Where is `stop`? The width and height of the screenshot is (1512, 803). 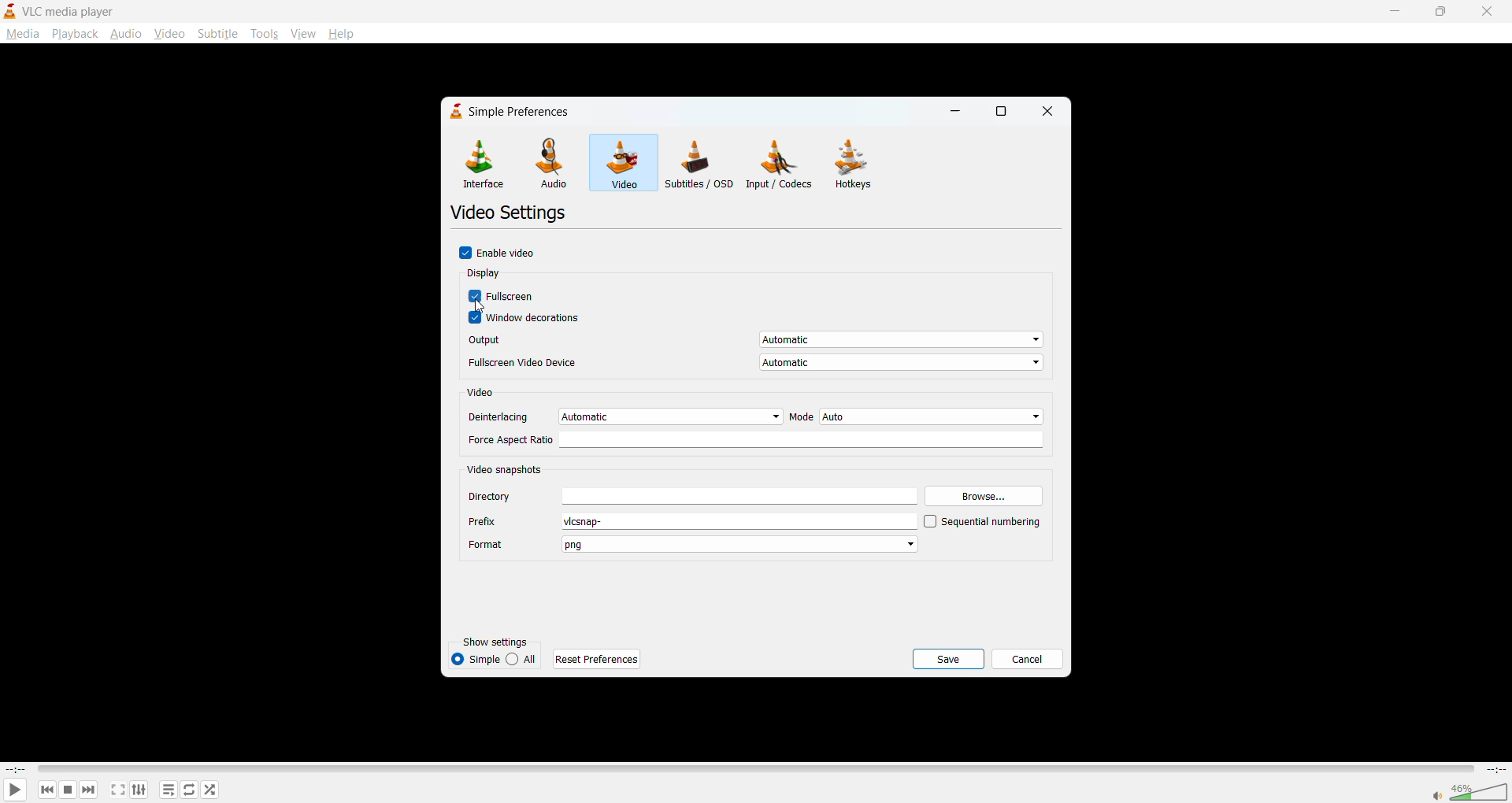 stop is located at coordinates (65, 790).